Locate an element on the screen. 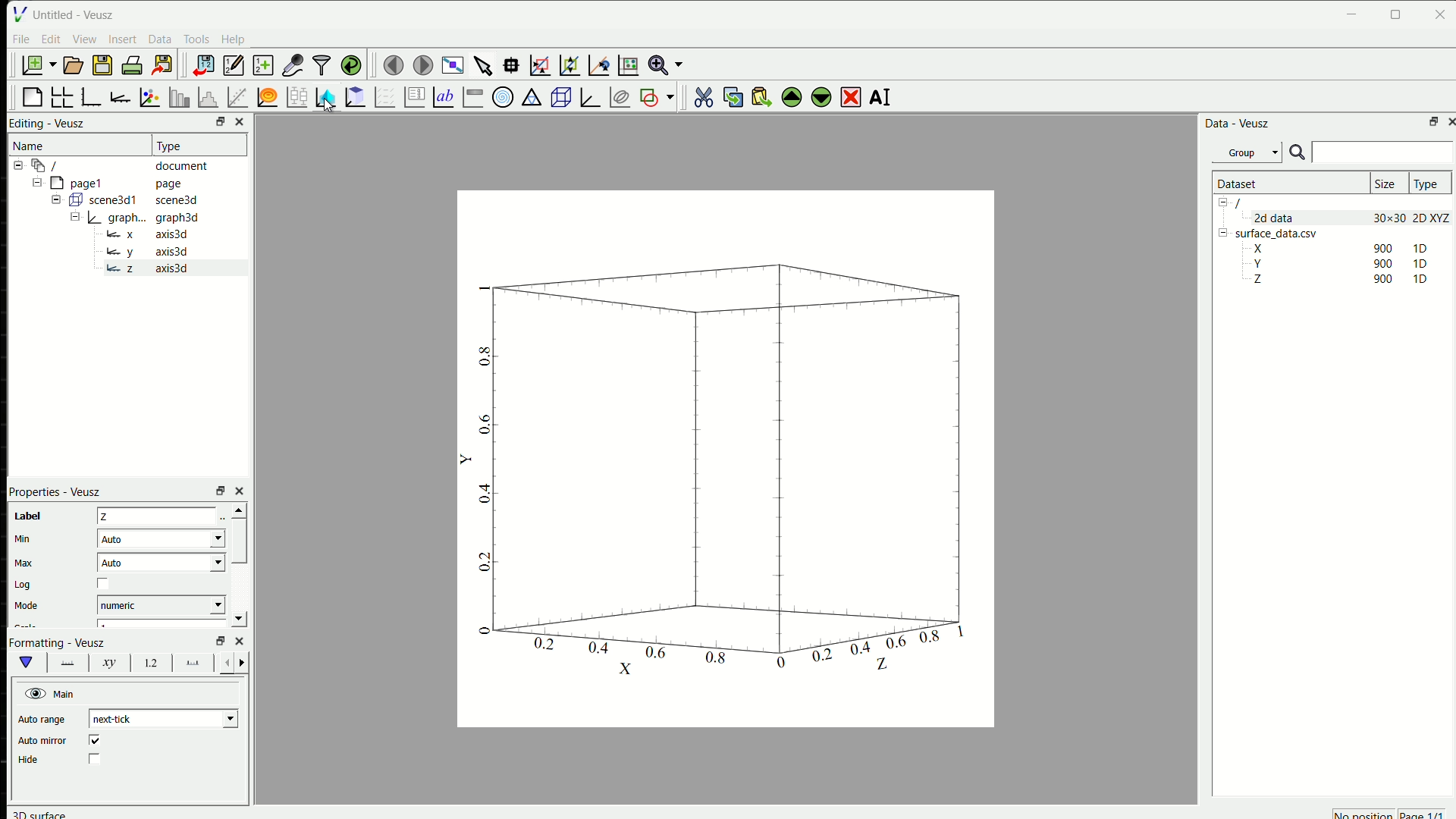  open in separate window is located at coordinates (221, 490).